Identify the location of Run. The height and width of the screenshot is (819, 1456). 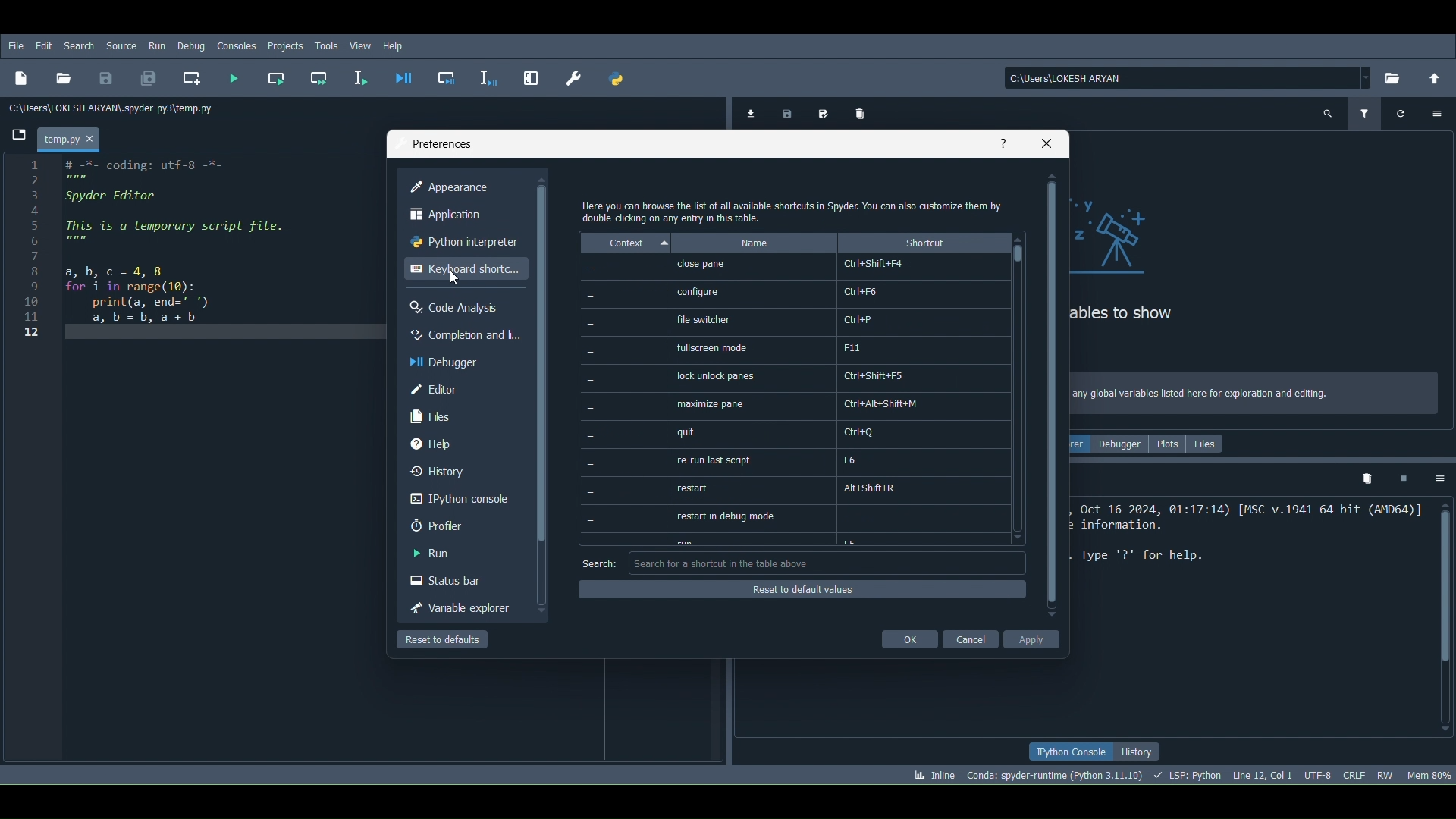
(156, 46).